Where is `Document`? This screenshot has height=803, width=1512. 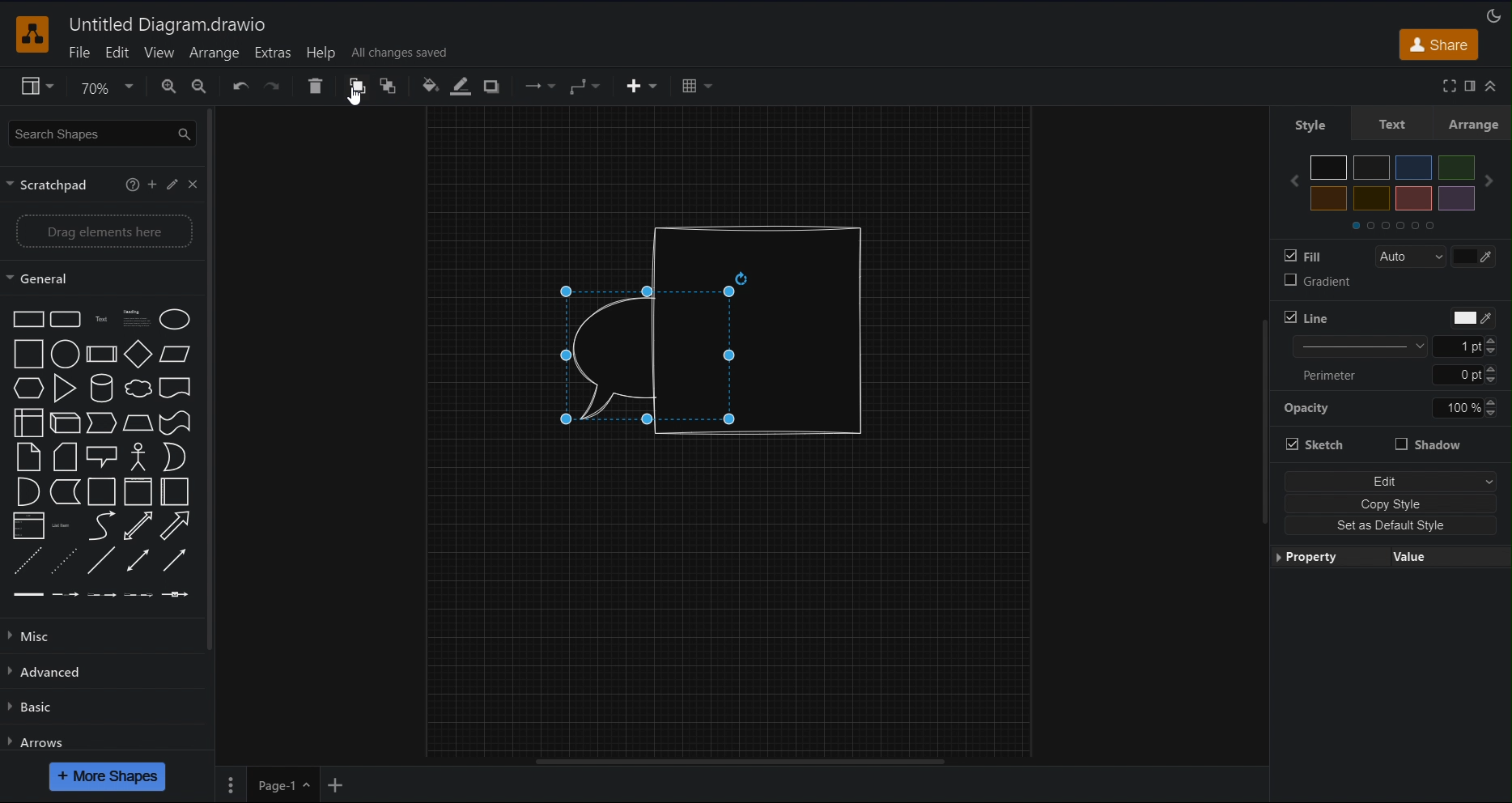 Document is located at coordinates (175, 389).